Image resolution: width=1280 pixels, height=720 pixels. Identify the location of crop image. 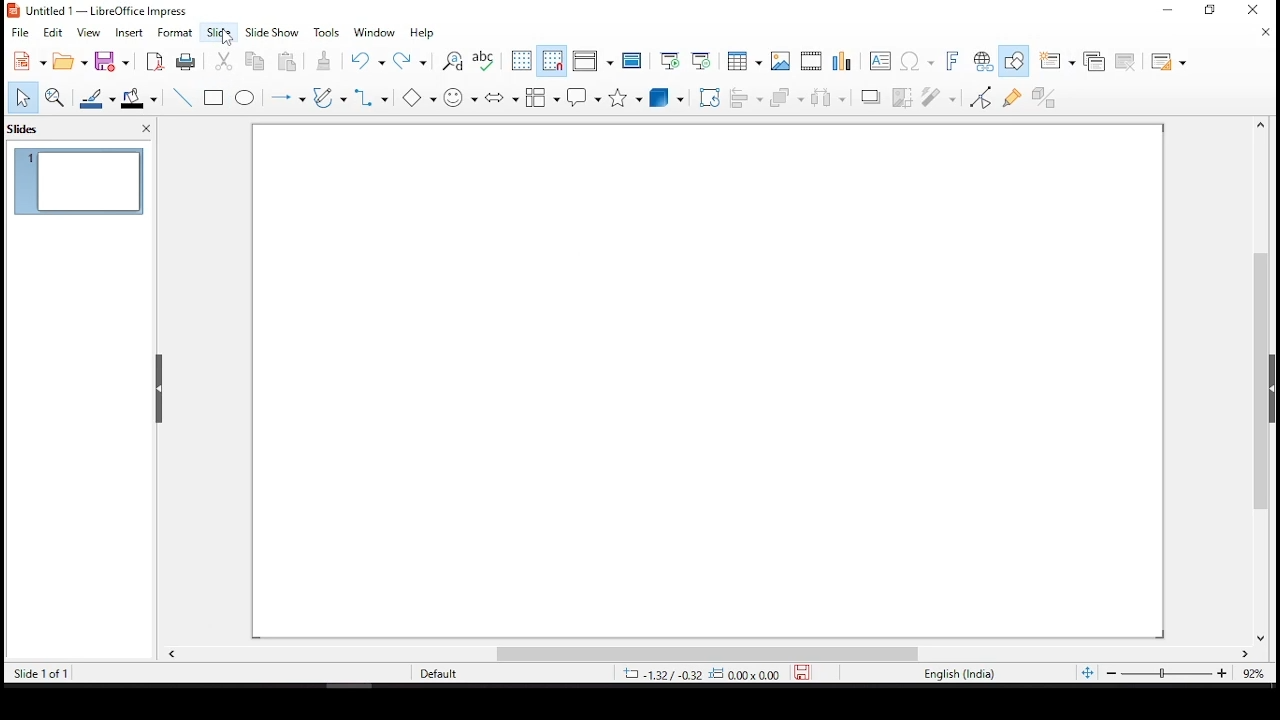
(899, 97).